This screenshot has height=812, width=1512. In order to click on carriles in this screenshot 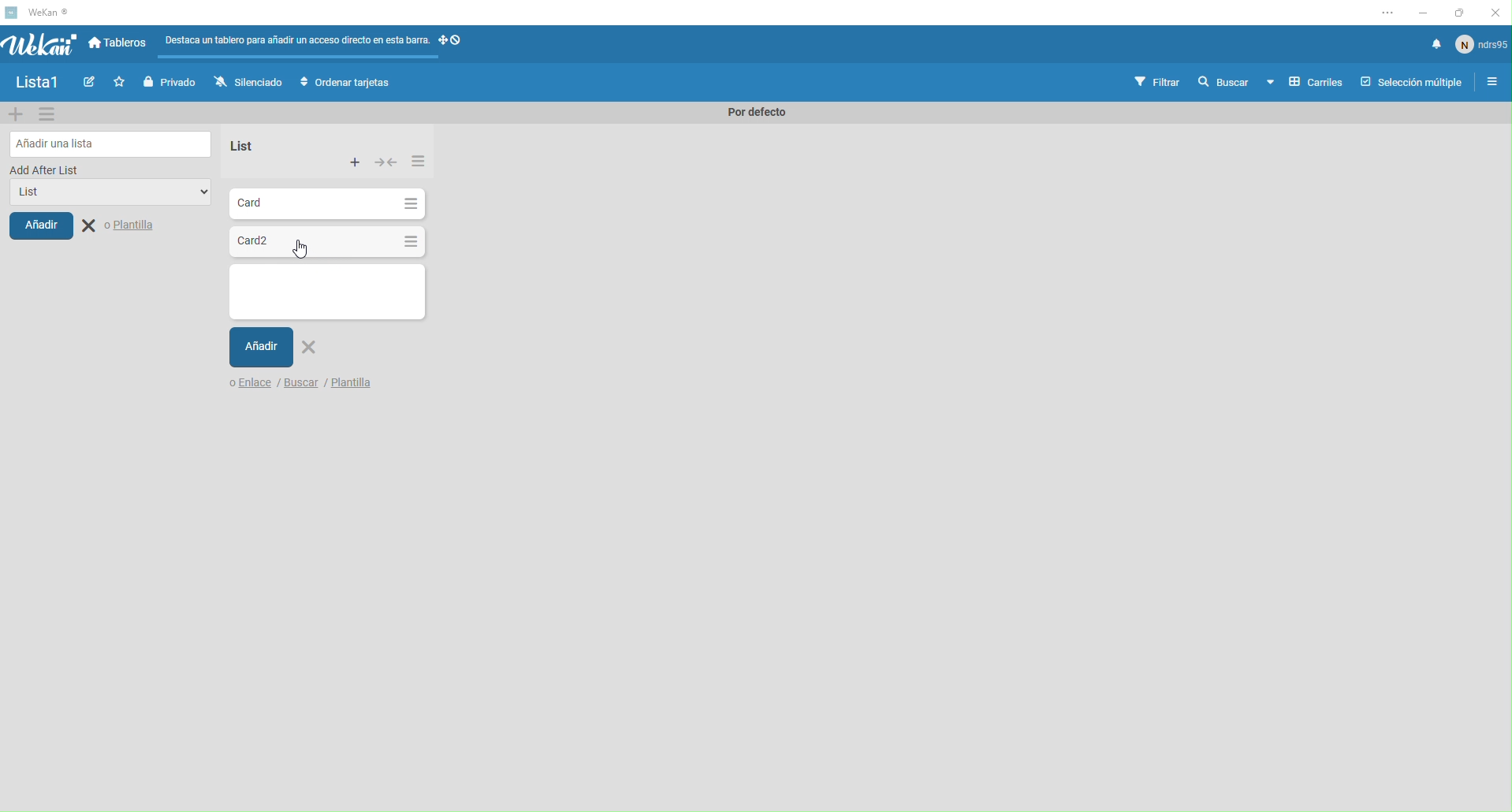, I will do `click(1305, 83)`.